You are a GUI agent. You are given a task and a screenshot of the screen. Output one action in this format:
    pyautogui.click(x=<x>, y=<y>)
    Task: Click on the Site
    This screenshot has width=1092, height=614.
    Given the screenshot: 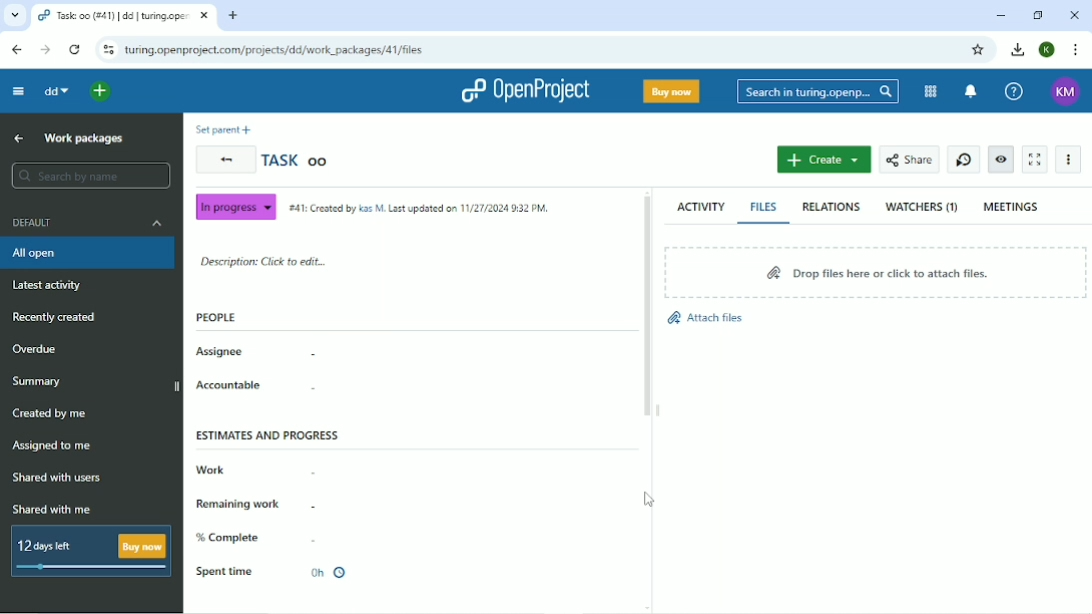 What is the action you would take?
    pyautogui.click(x=276, y=50)
    